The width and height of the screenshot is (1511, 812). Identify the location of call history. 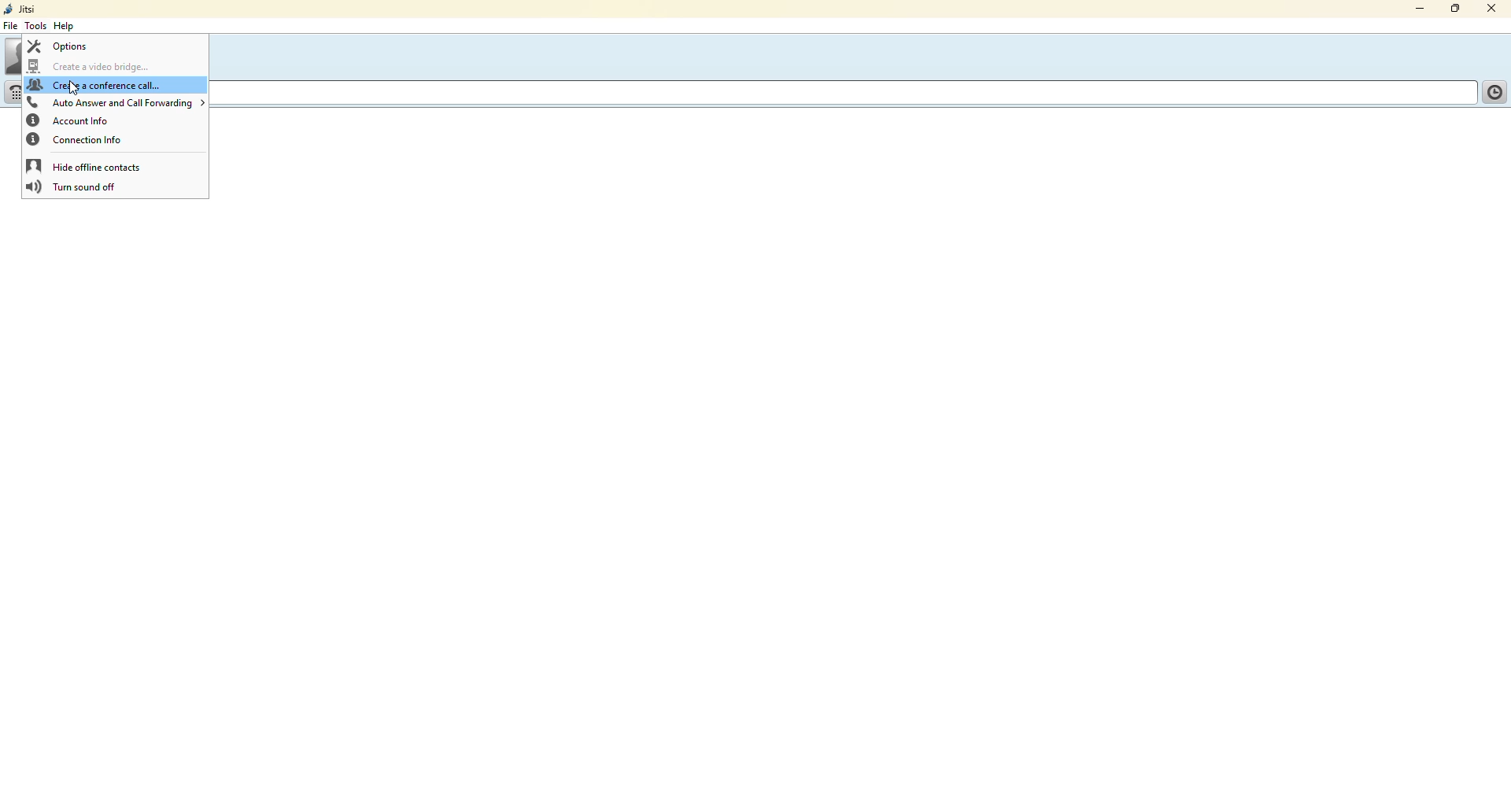
(1493, 94).